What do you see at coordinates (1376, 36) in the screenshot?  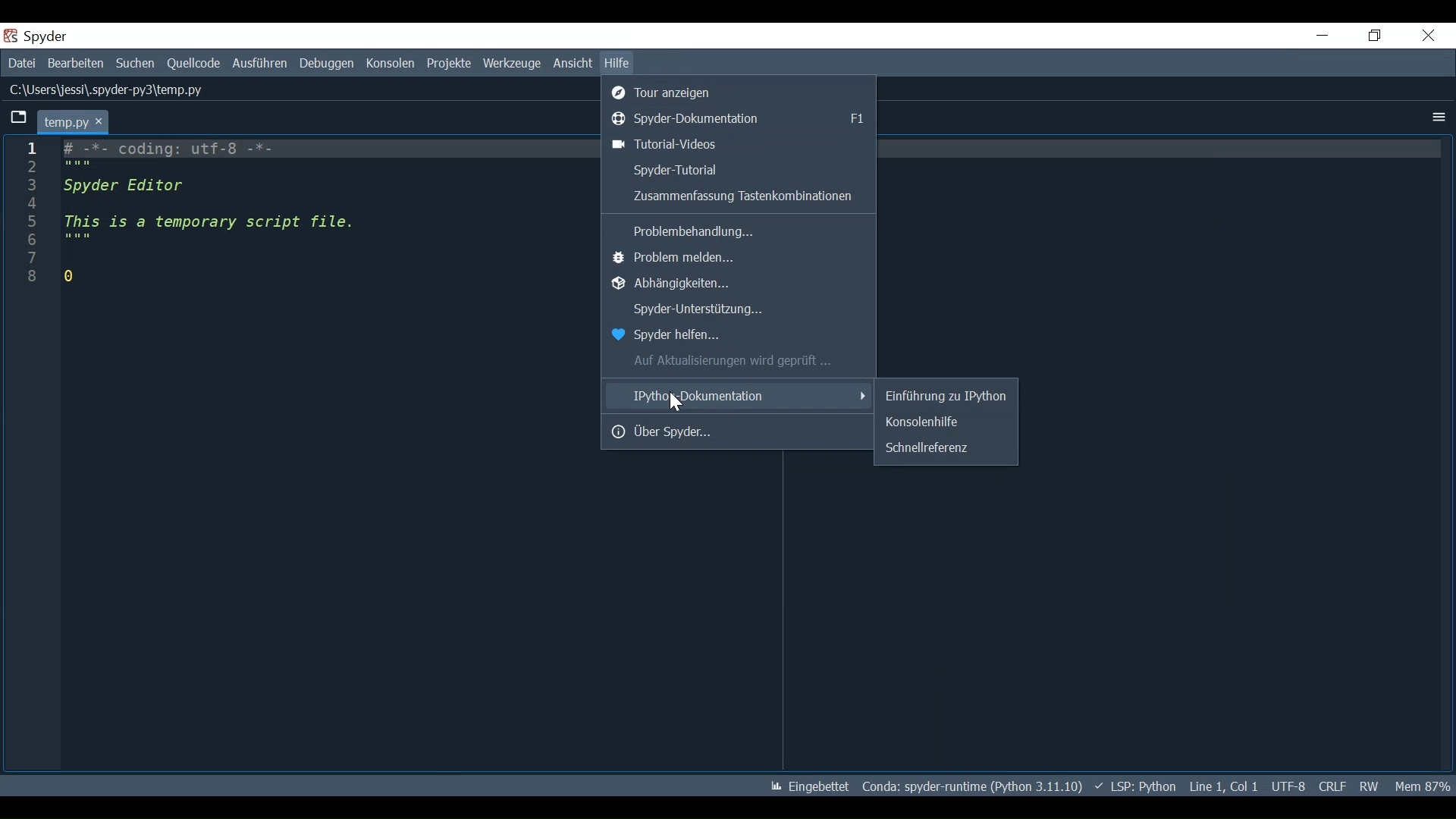 I see `Restore` at bounding box center [1376, 36].